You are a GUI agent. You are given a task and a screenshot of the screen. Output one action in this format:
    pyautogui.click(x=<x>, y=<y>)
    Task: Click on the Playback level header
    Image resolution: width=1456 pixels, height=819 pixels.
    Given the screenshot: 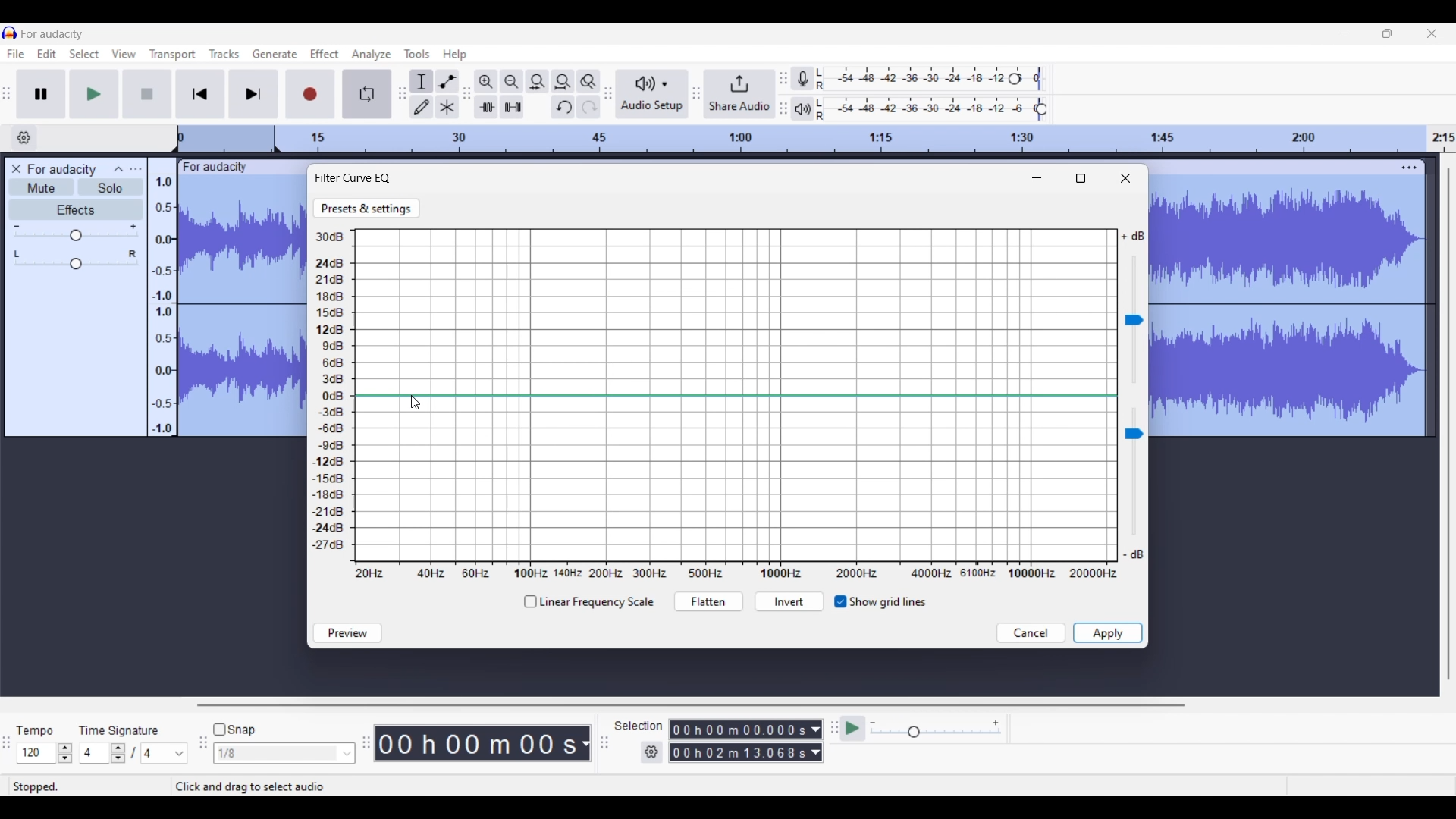 What is the action you would take?
    pyautogui.click(x=1042, y=109)
    